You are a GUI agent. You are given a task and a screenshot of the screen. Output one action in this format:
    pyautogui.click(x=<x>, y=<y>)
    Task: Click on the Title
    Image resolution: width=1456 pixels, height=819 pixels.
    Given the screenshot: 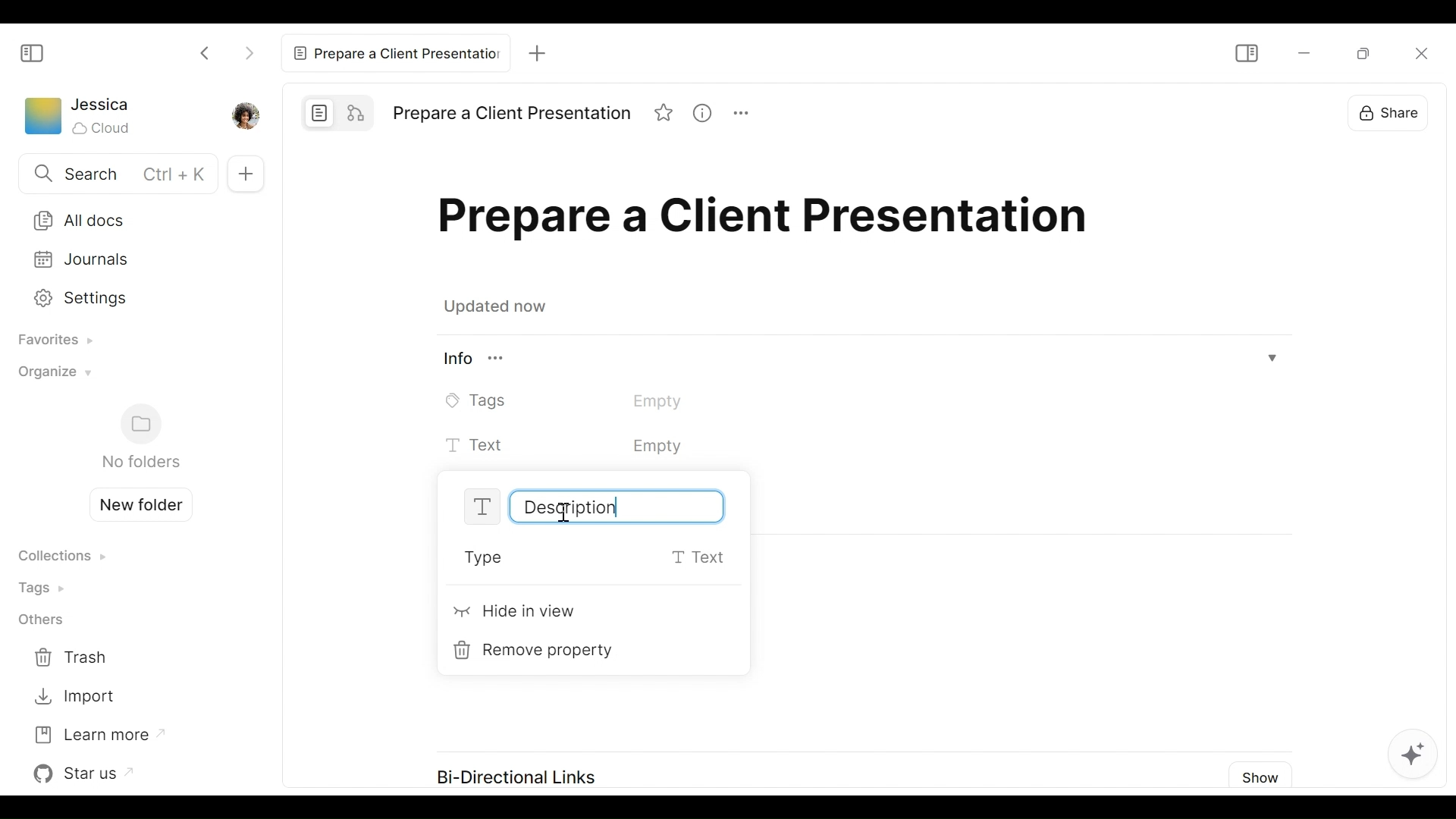 What is the action you would take?
    pyautogui.click(x=770, y=221)
    